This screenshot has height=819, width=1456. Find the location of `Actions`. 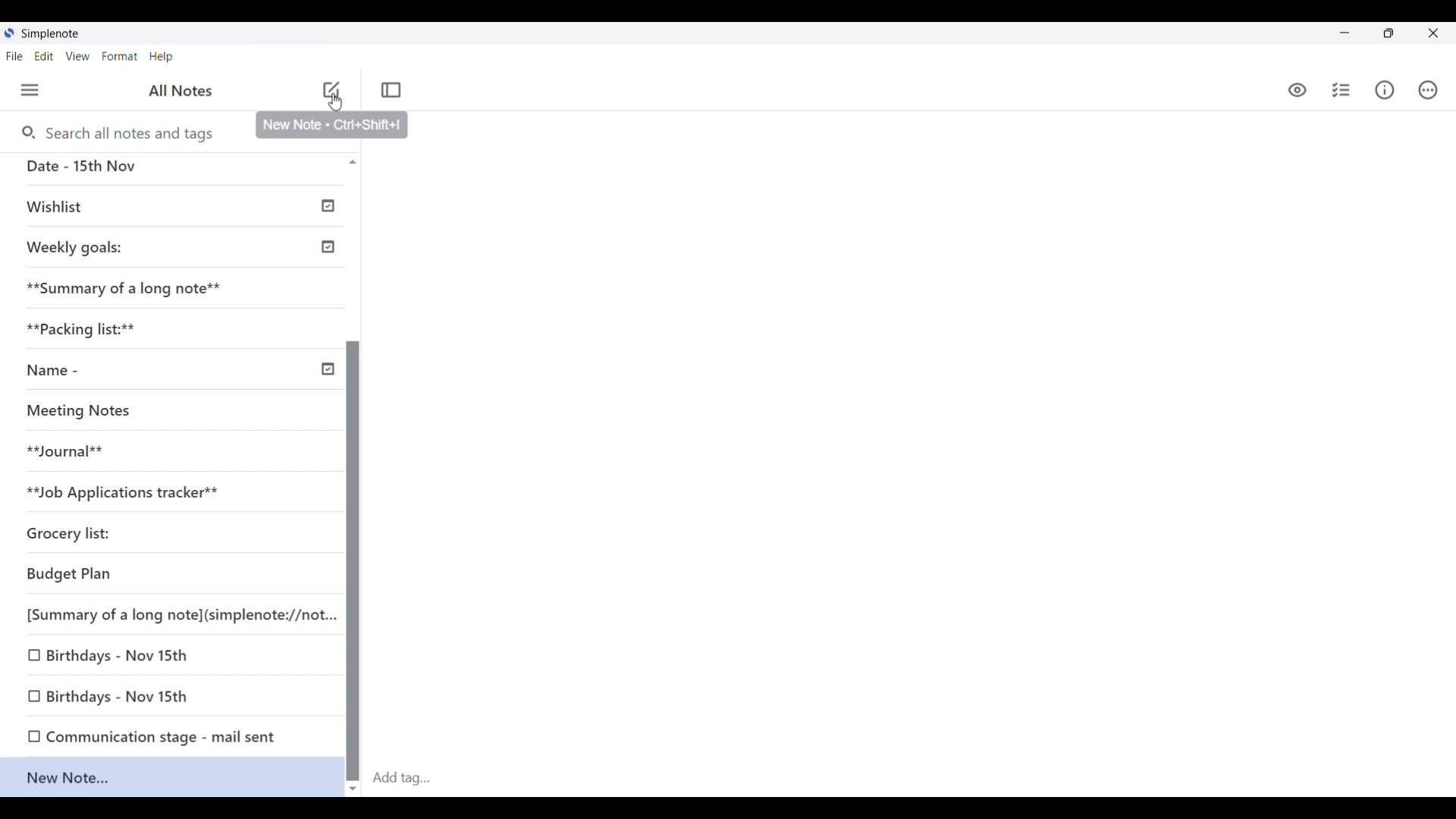

Actions is located at coordinates (1428, 89).